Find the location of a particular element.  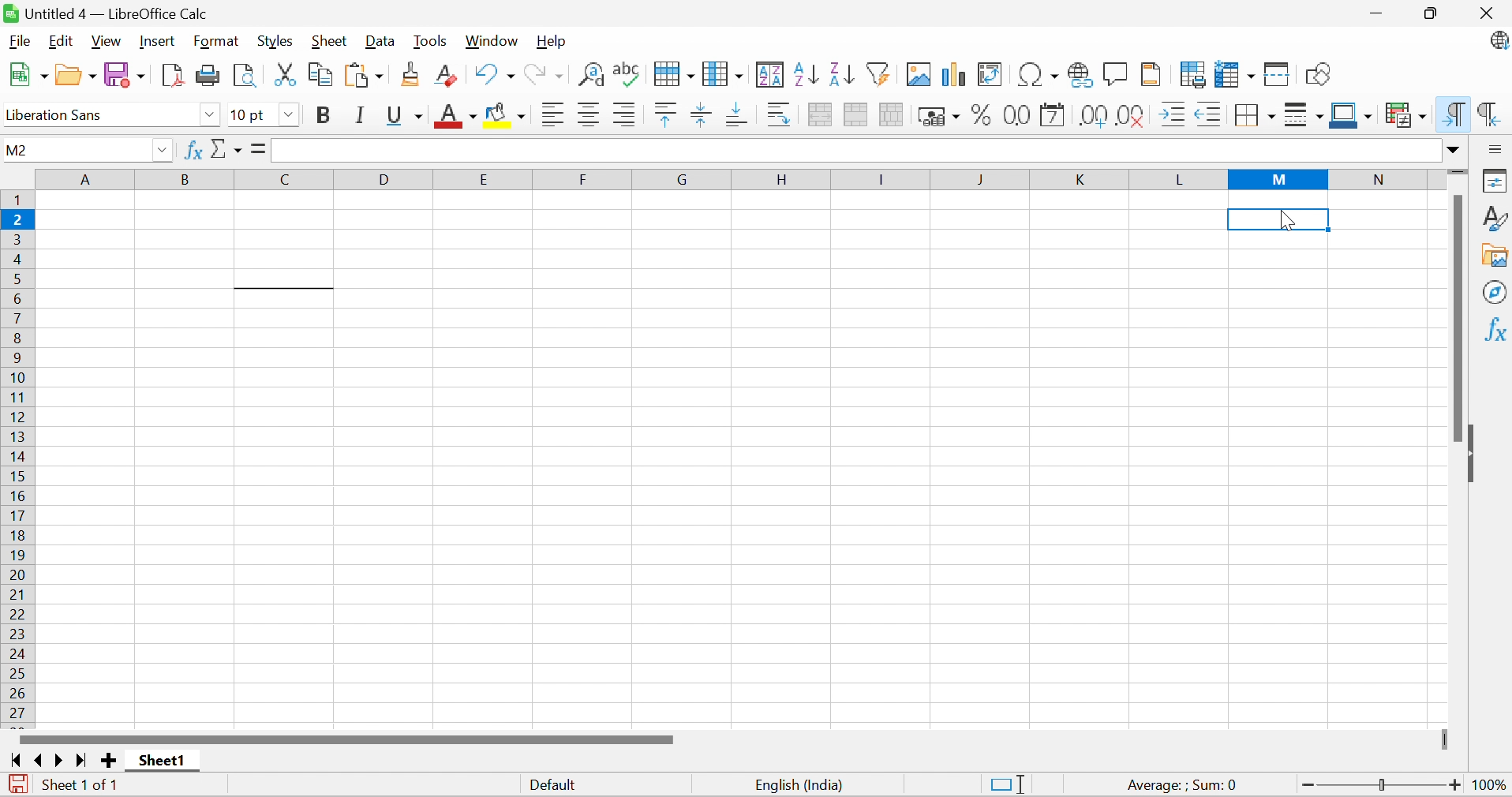

Border color is located at coordinates (1350, 116).